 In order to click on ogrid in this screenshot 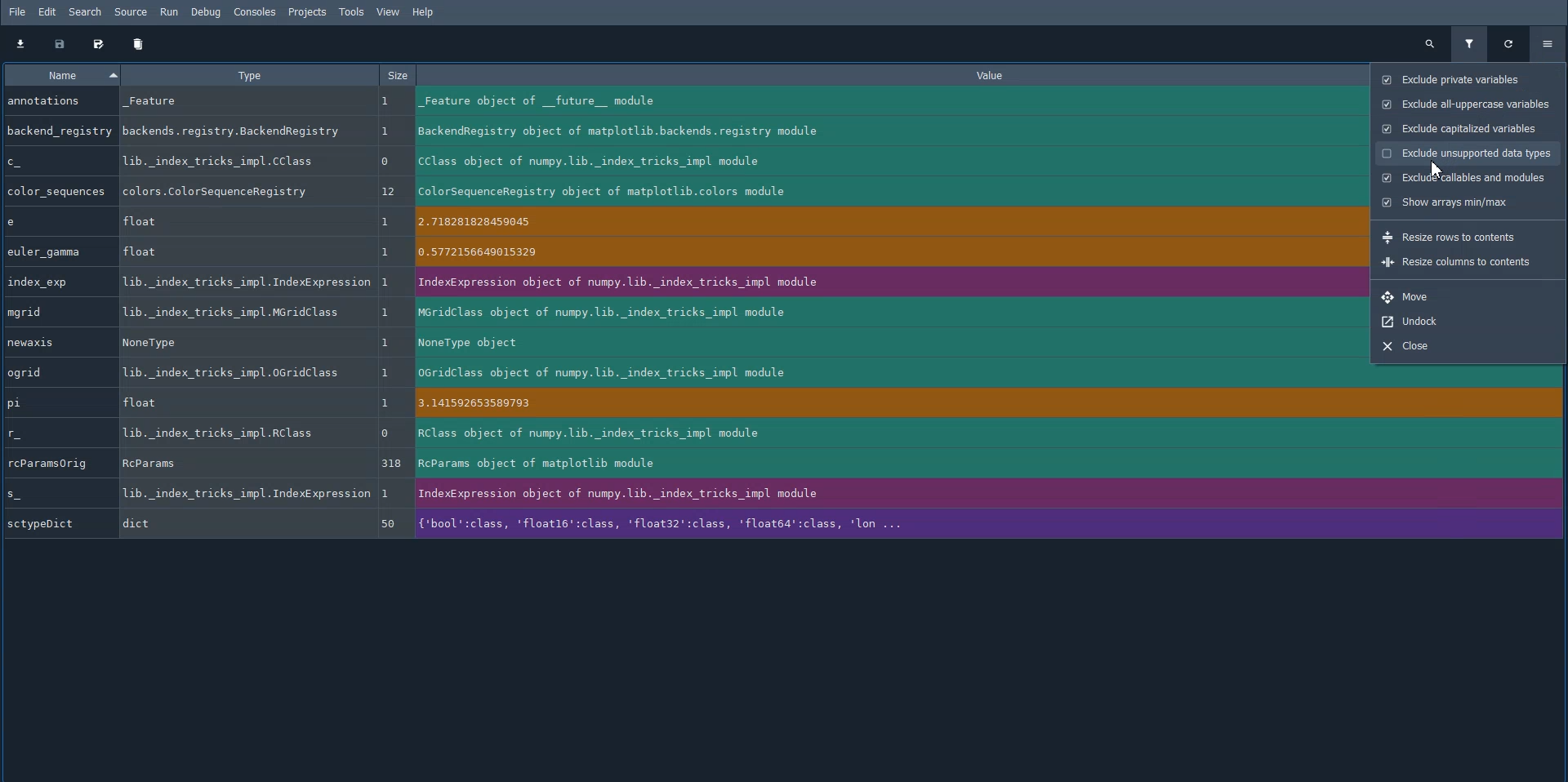, I will do `click(53, 374)`.